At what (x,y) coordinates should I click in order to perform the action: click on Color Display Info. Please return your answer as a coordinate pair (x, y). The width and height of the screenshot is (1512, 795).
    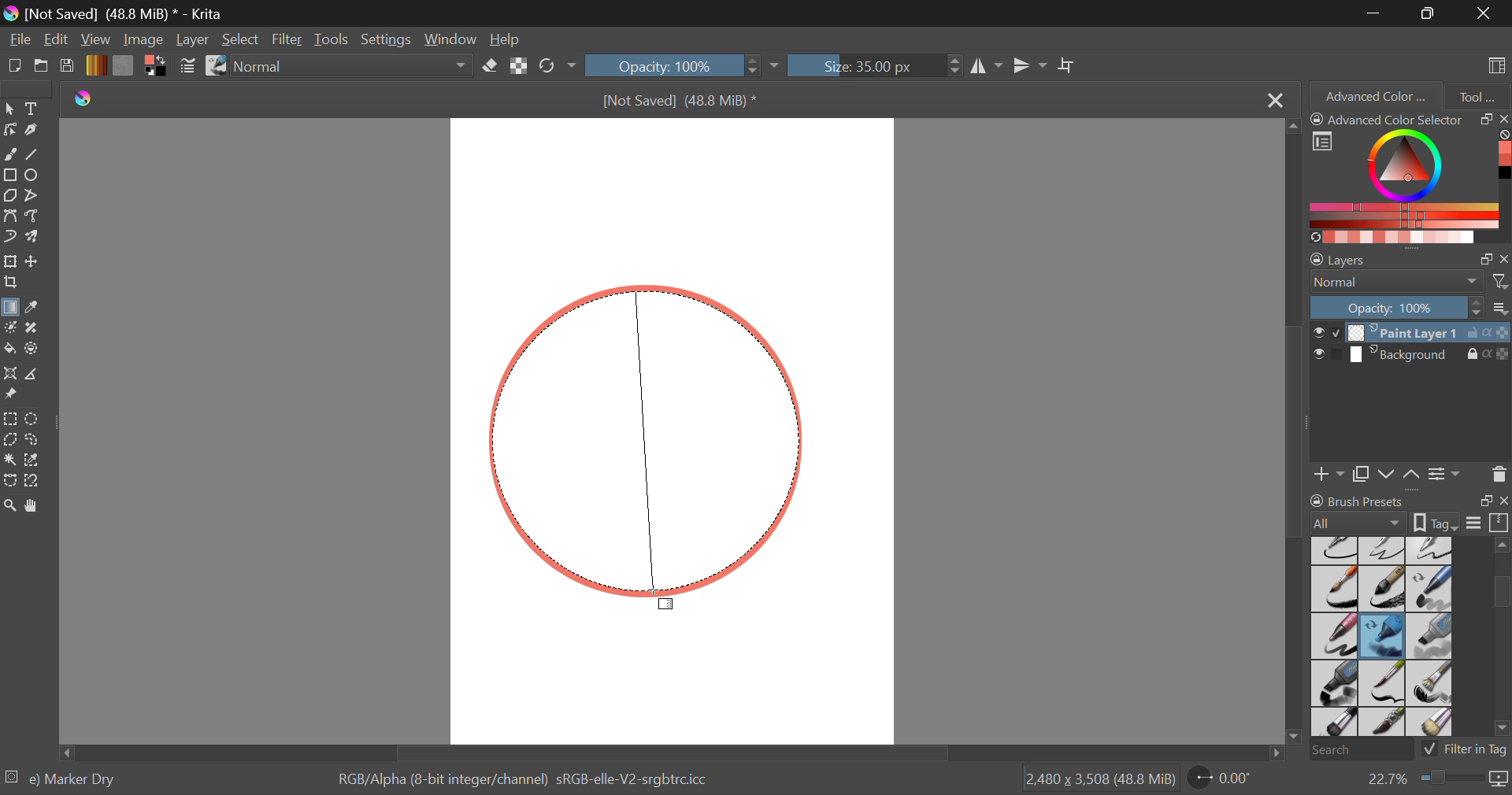
    Looking at the image, I should click on (528, 782).